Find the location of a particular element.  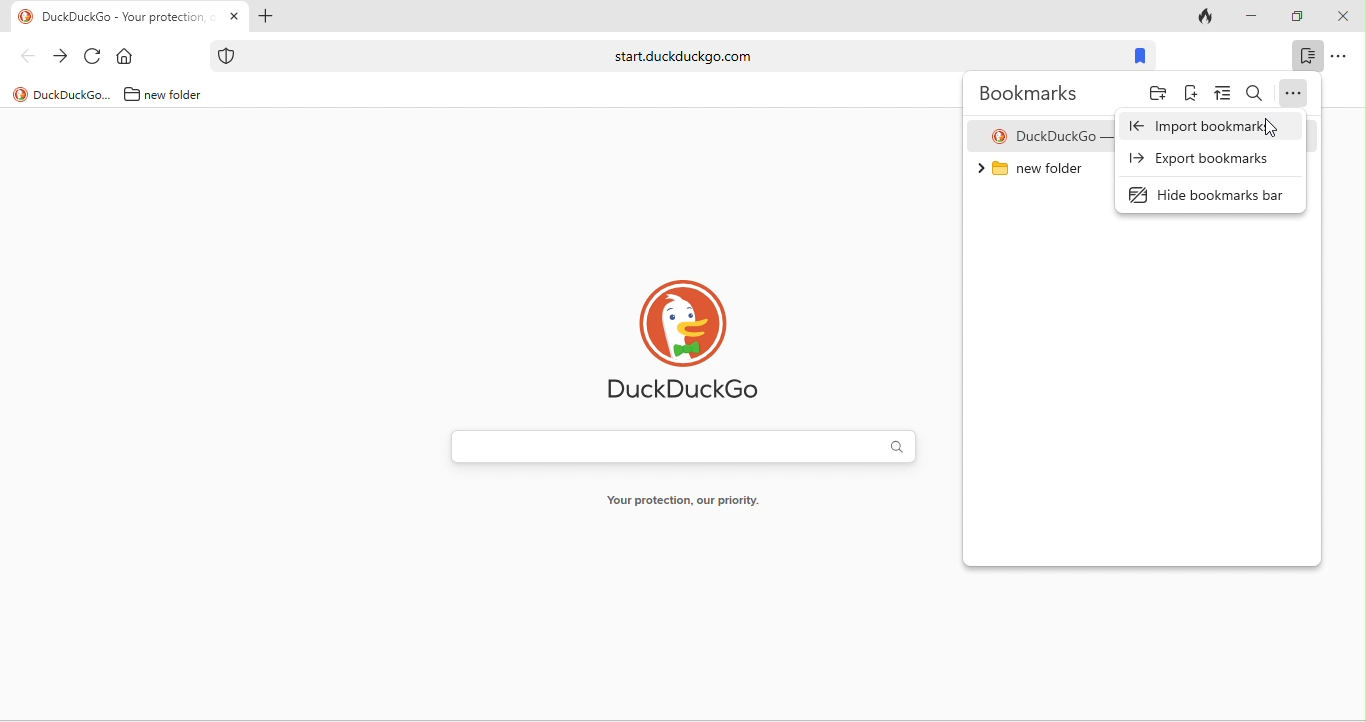

duck duck go logo is located at coordinates (687, 340).